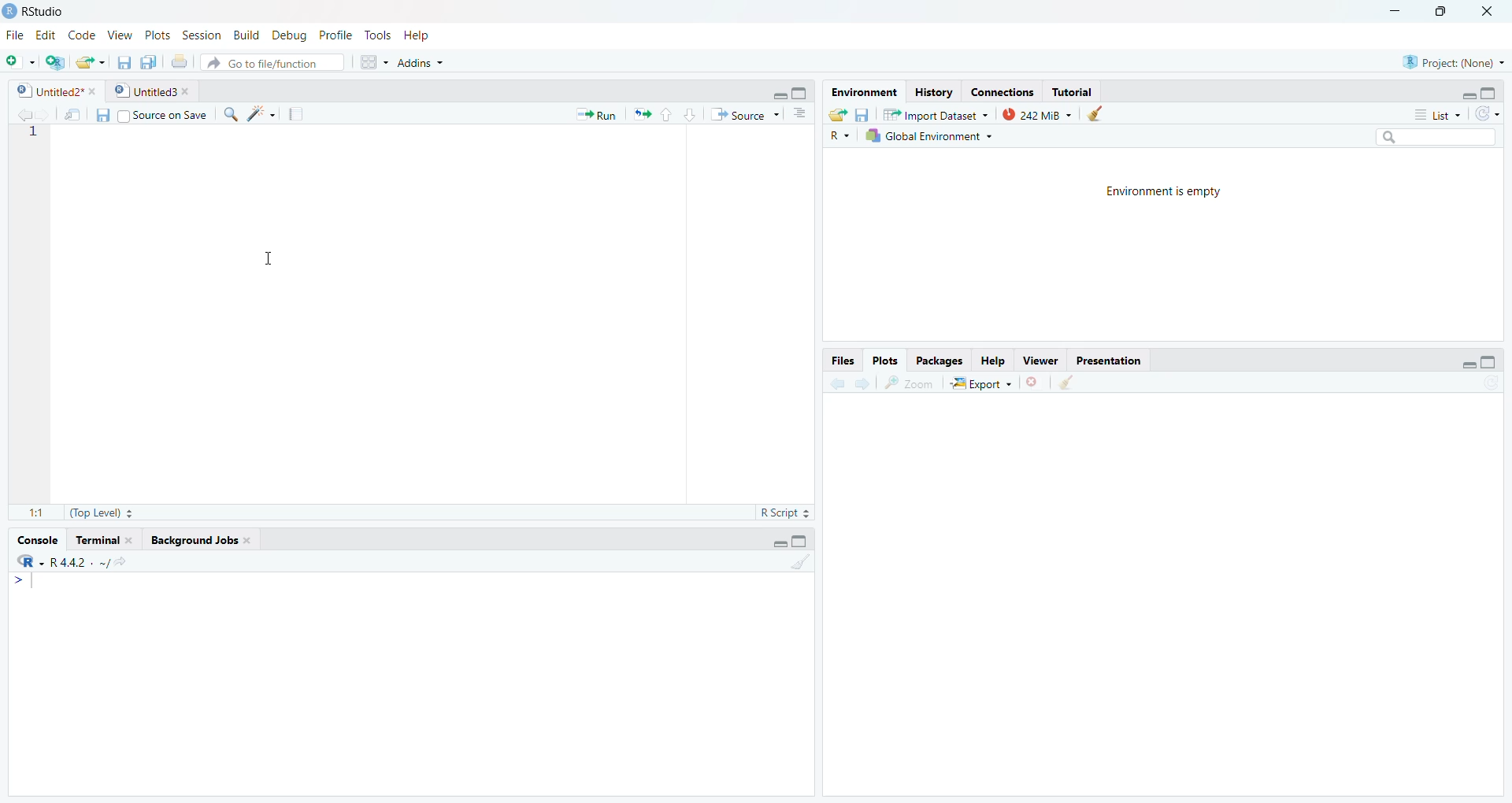  Describe the element at coordinates (784, 513) in the screenshot. I see `R Script ` at that location.